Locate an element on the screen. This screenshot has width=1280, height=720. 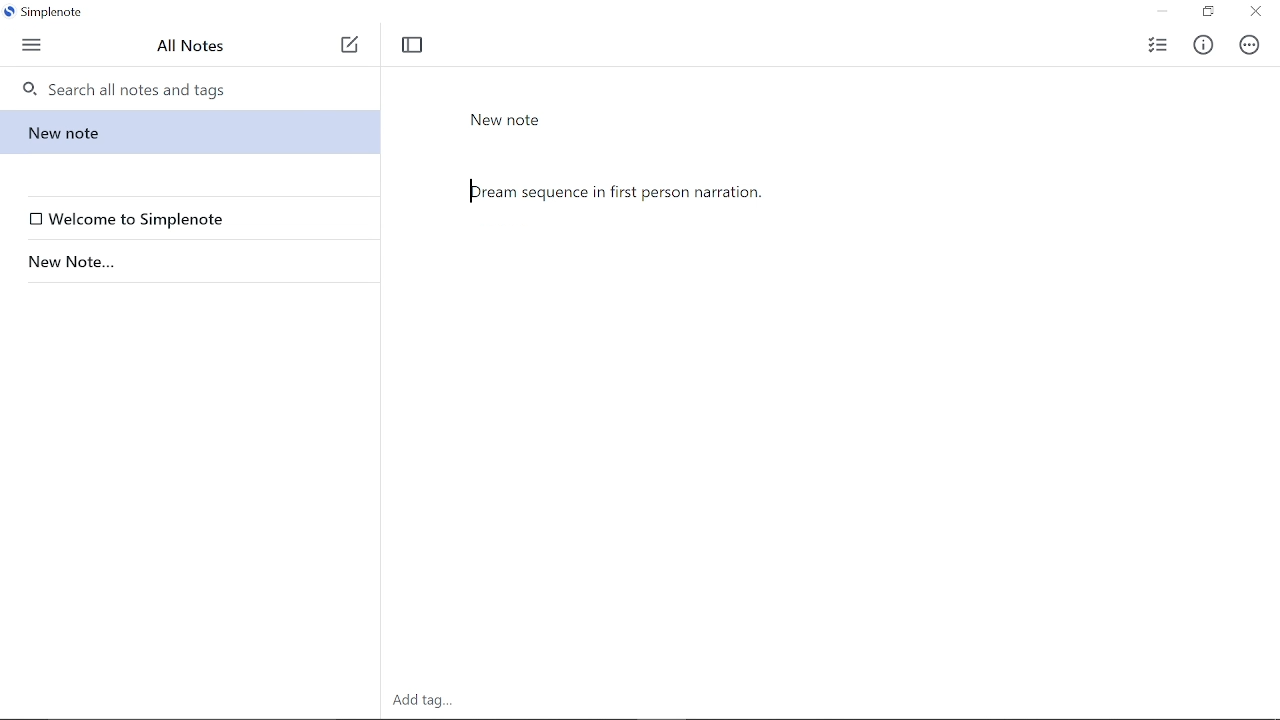
Add tag... is located at coordinates (425, 698).